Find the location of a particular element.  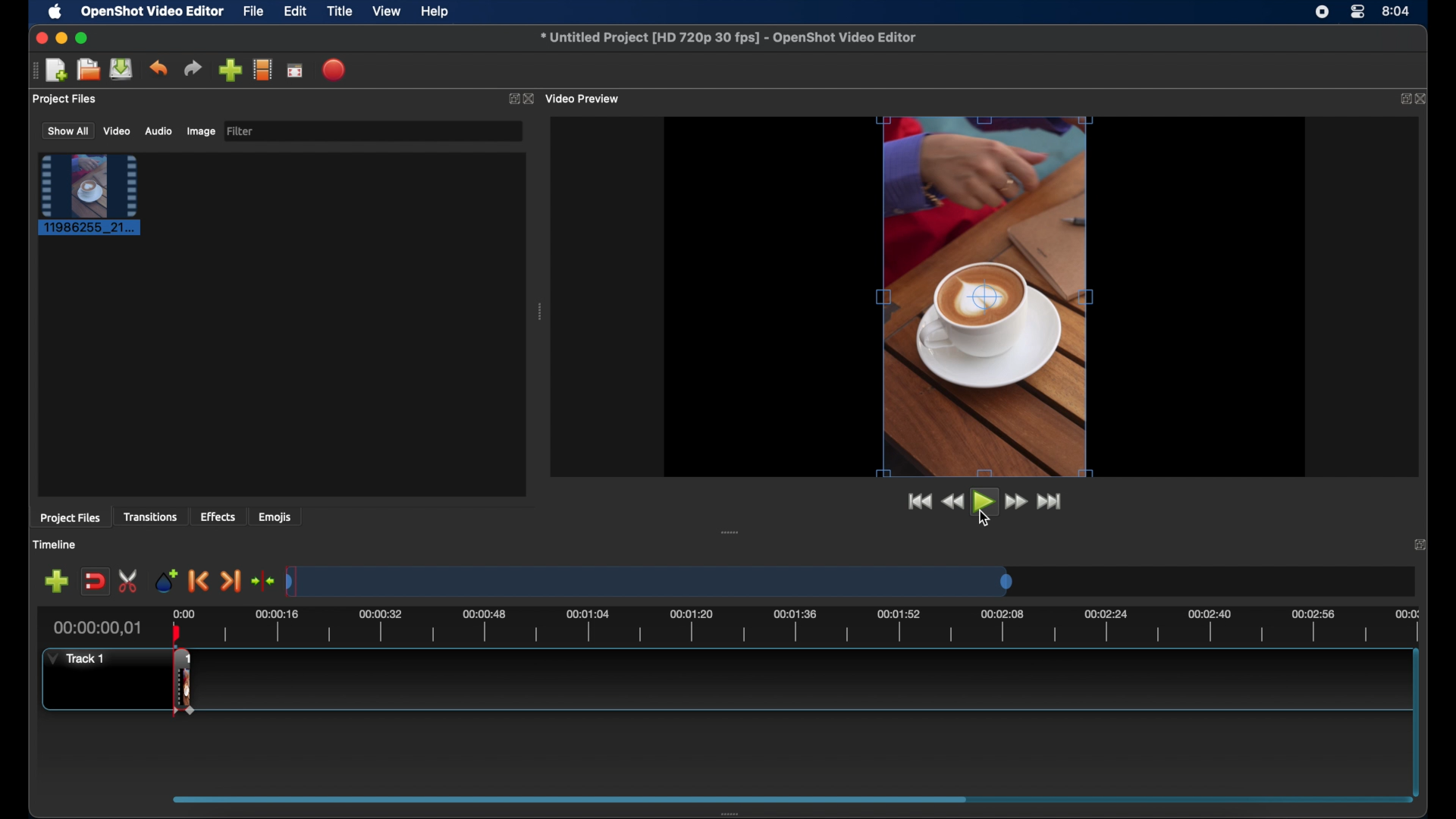

project files is located at coordinates (71, 519).